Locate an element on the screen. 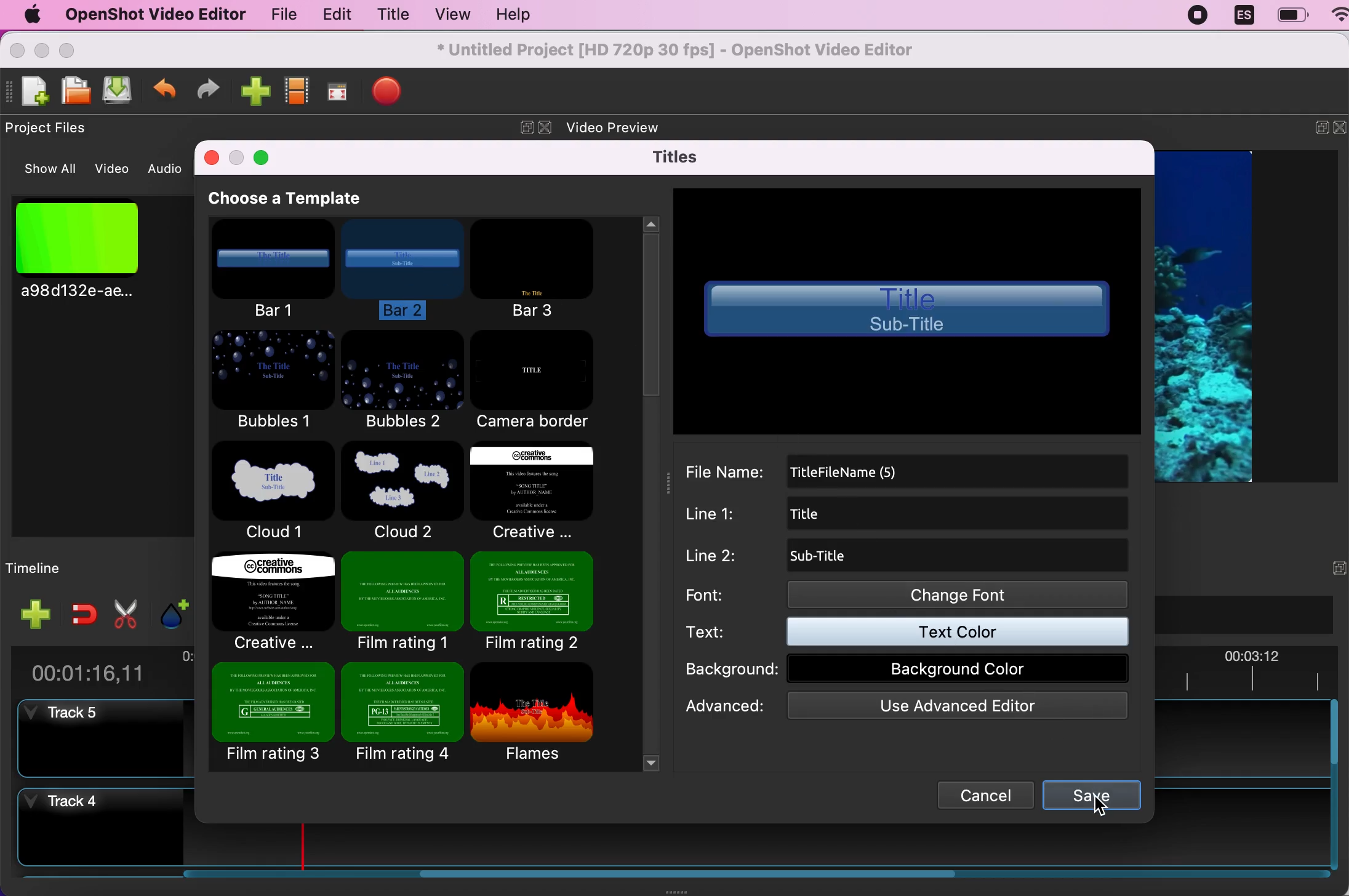 The height and width of the screenshot is (896, 1349). scroll bar is located at coordinates (572, 879).